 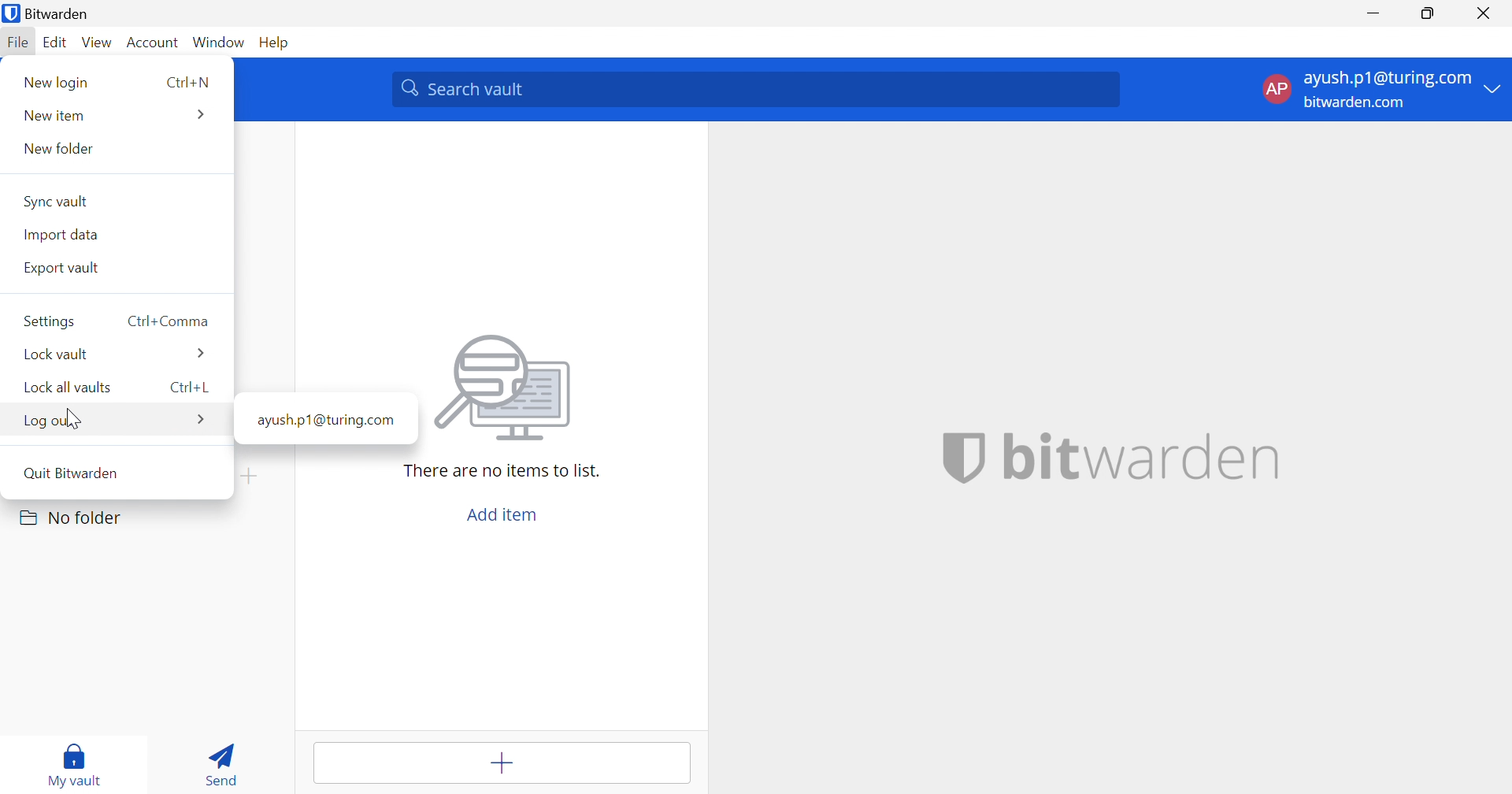 I want to click on No folder, so click(x=73, y=518).